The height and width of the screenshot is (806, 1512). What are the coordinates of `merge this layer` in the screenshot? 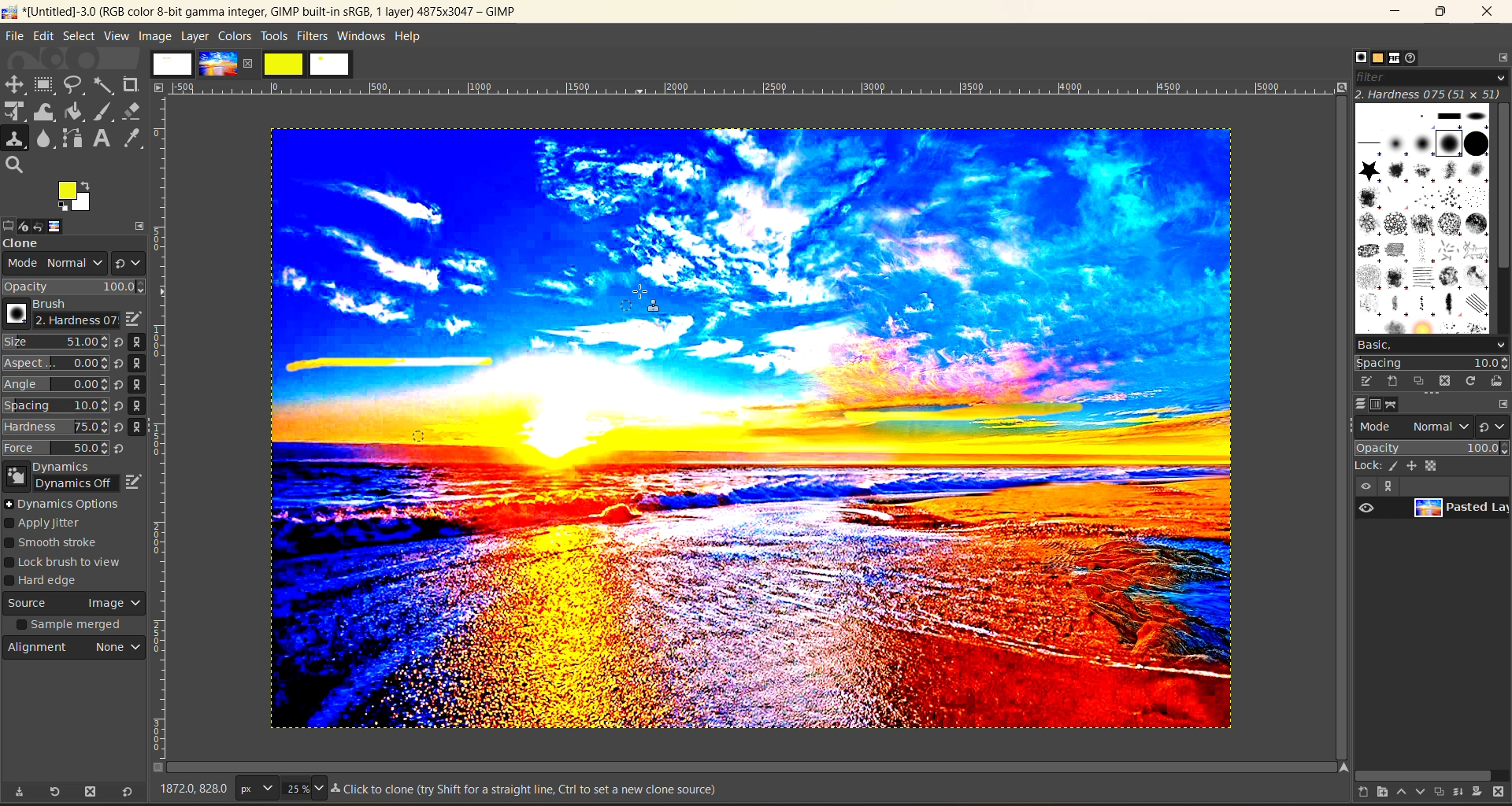 It's located at (1458, 791).